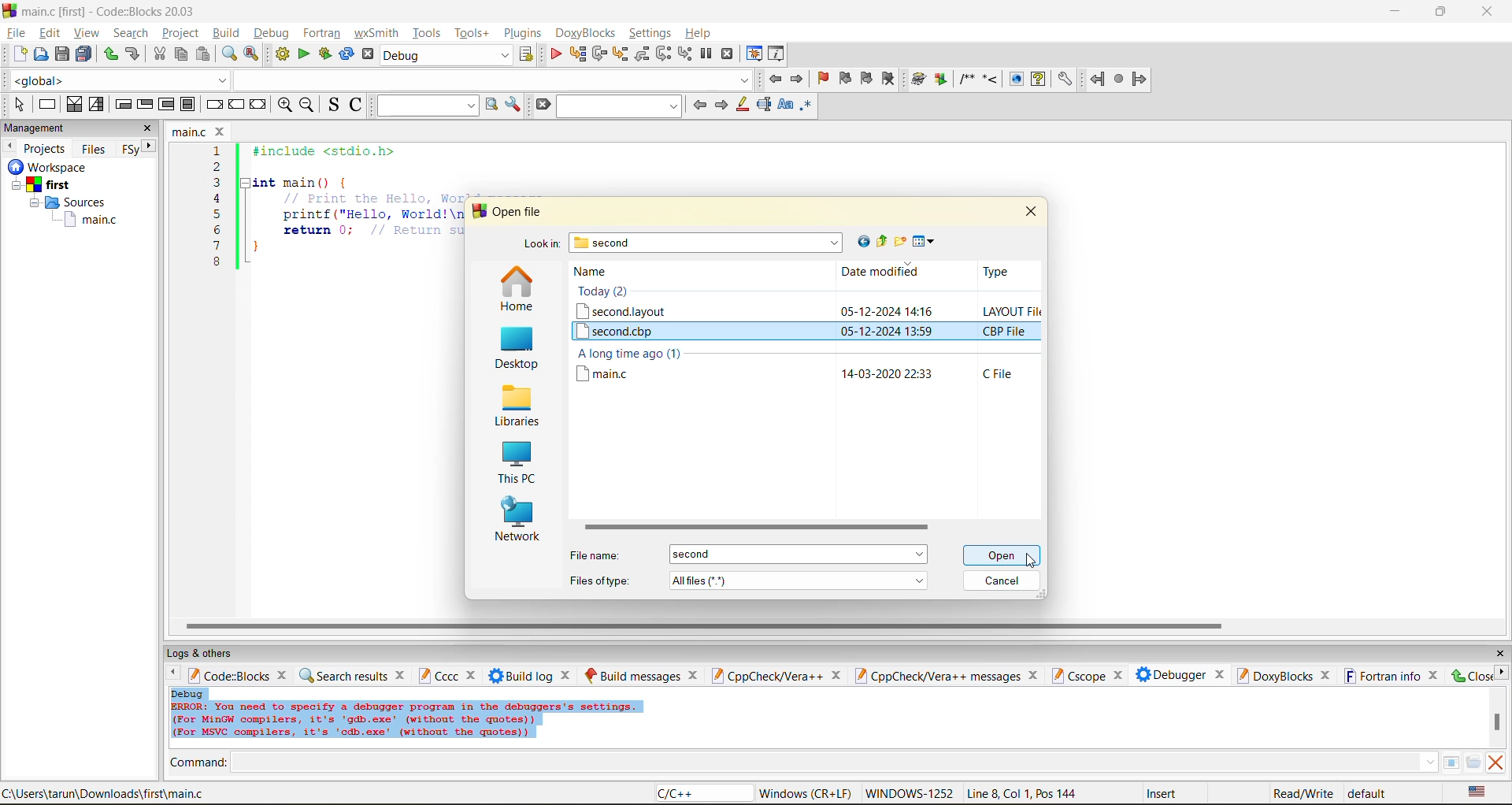  I want to click on debug, so click(188, 693).